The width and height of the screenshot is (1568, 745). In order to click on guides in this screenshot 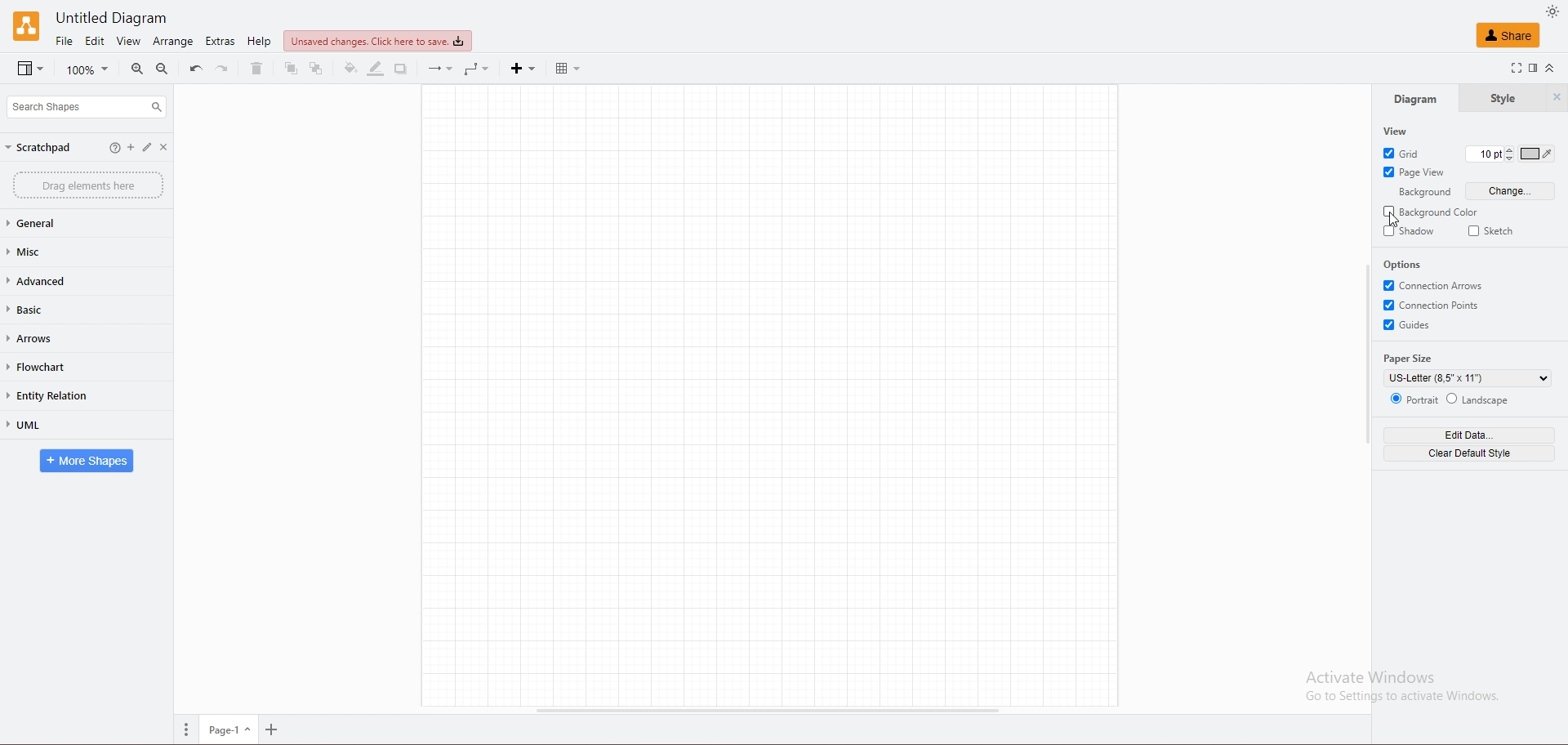, I will do `click(1410, 326)`.